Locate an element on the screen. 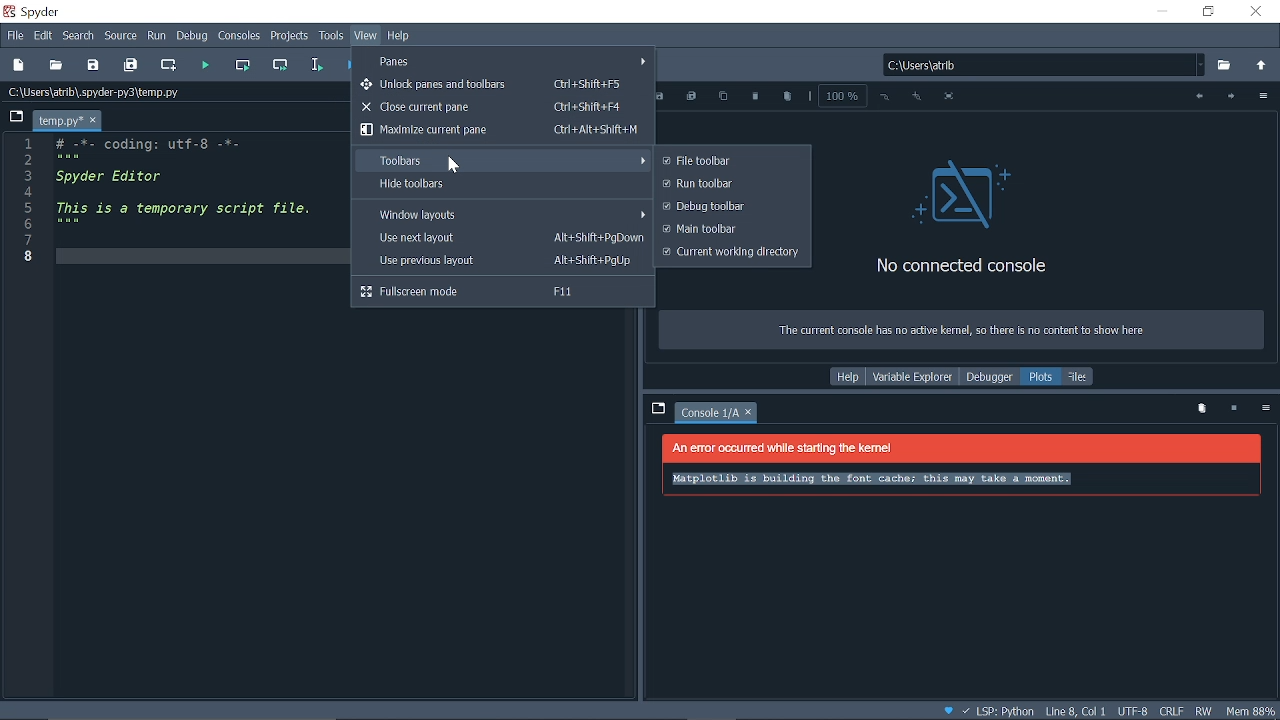  Restore down is located at coordinates (1209, 12).